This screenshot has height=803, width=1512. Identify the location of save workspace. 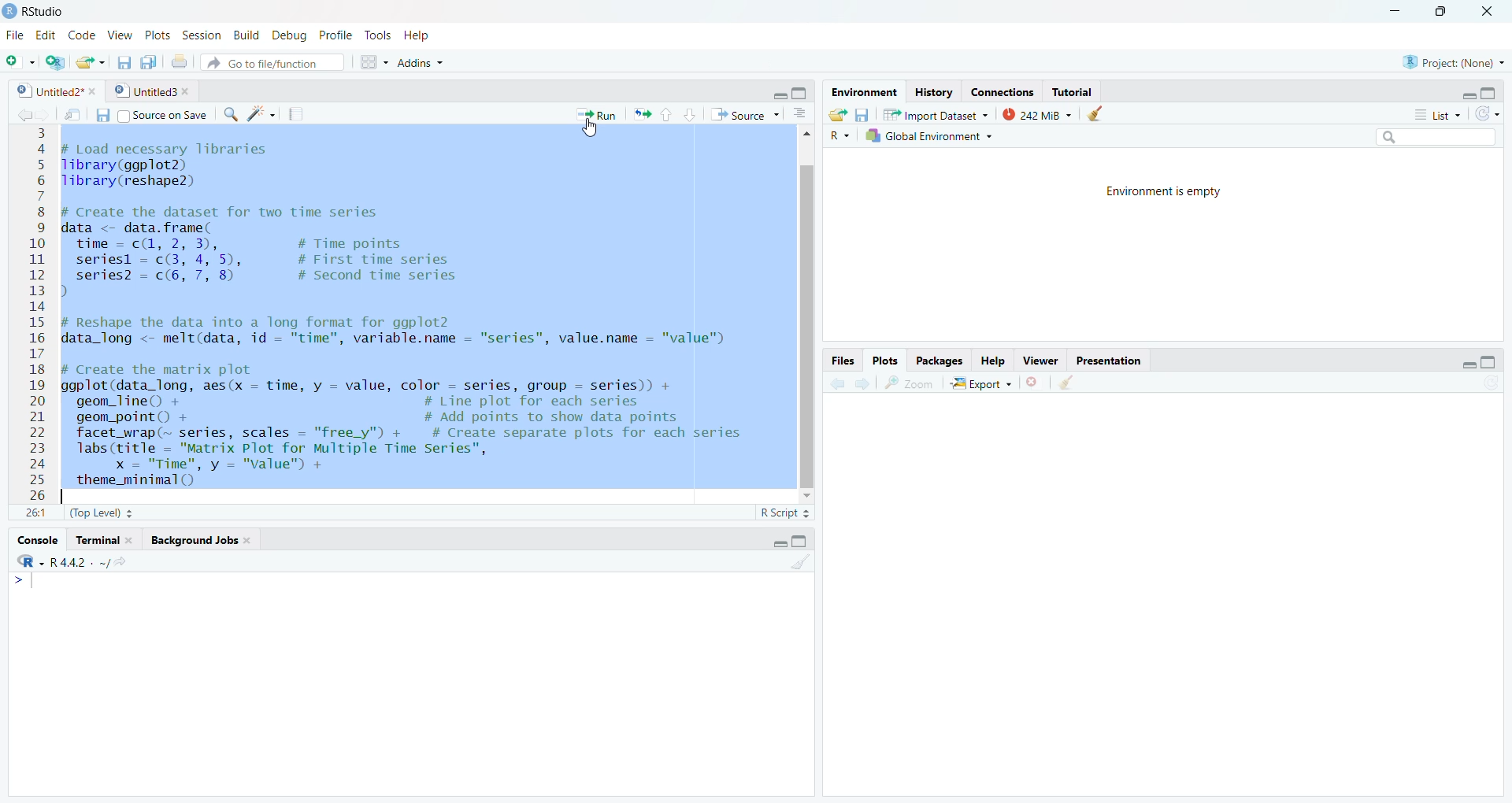
(862, 113).